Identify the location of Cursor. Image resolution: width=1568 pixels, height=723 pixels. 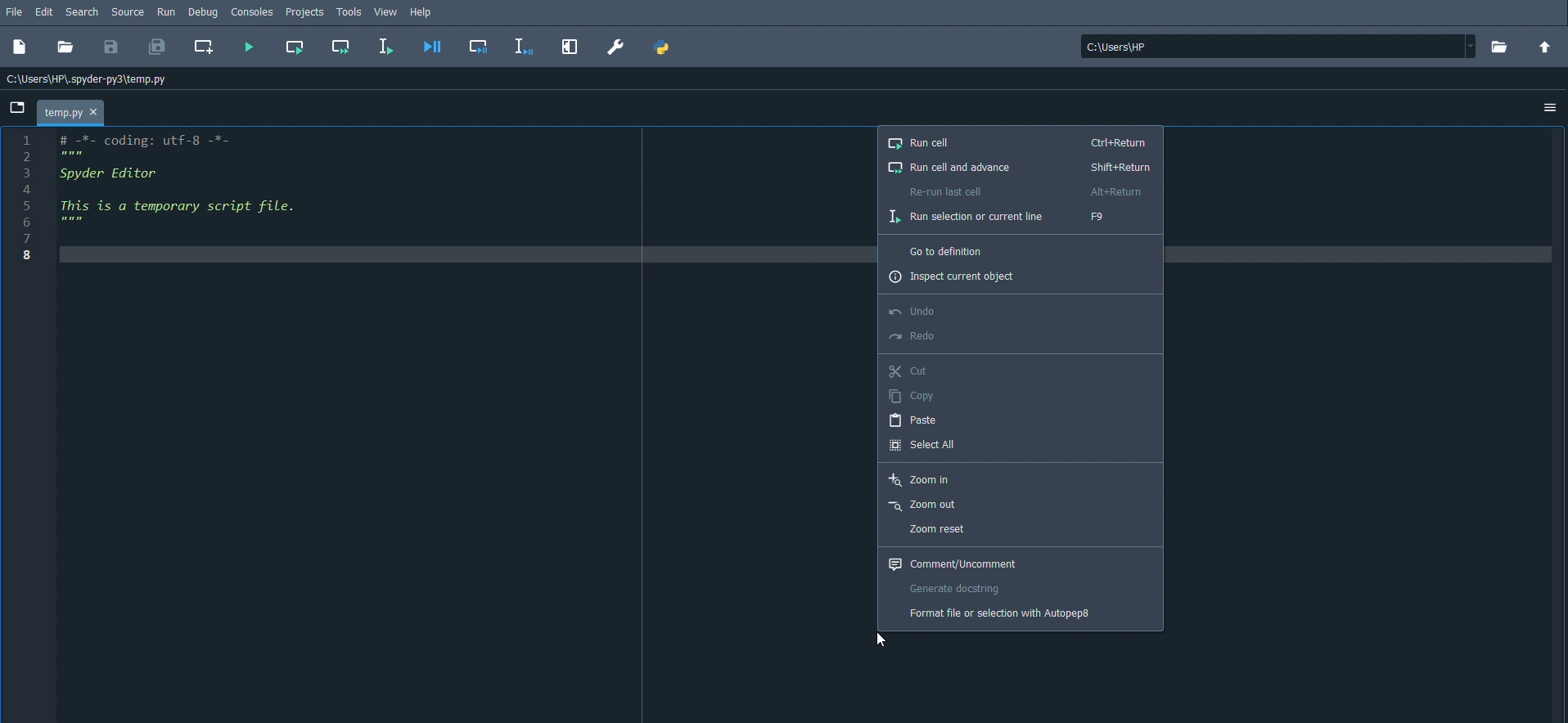
(881, 640).